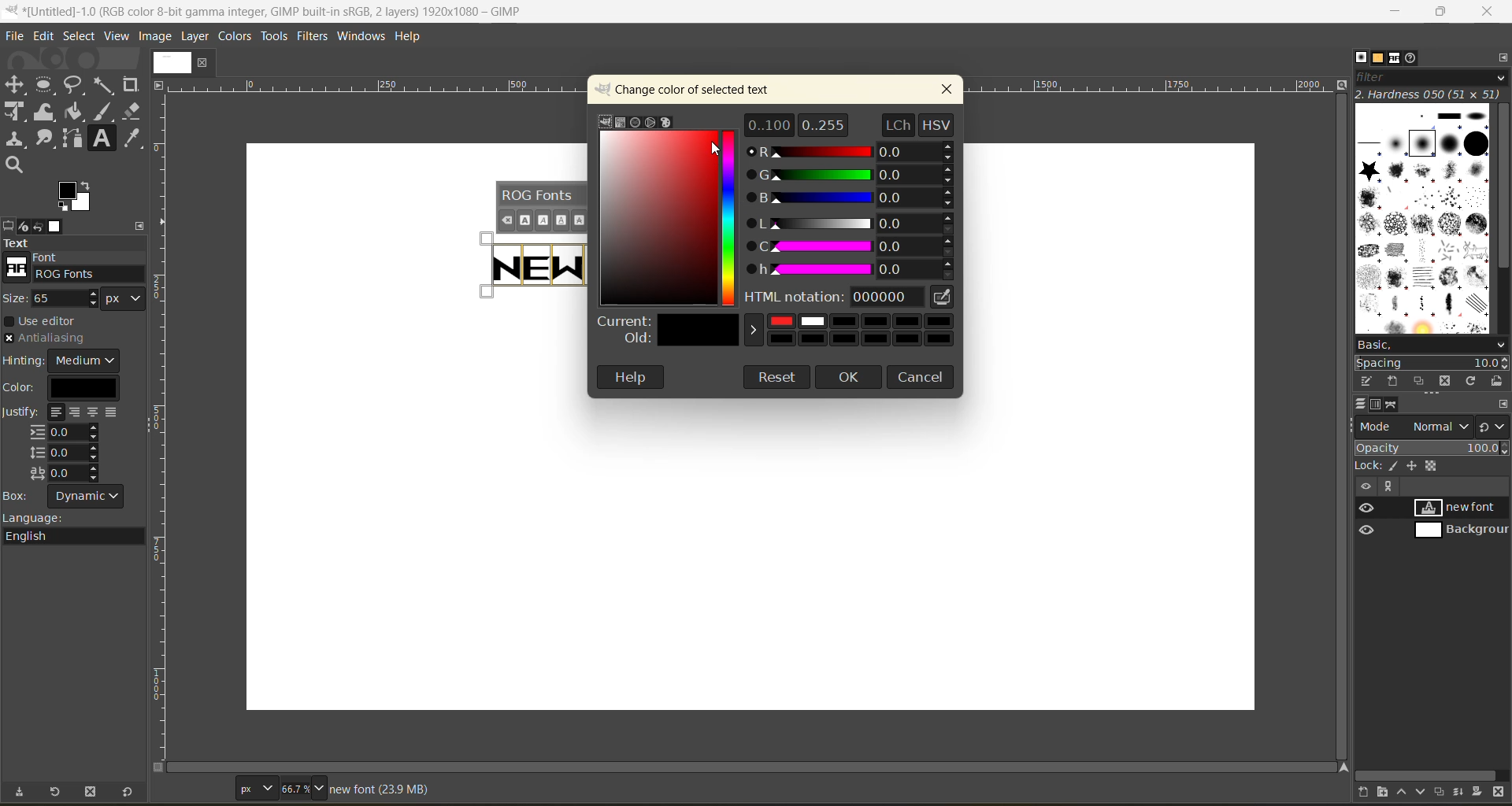  Describe the element at coordinates (9, 226) in the screenshot. I see `tool options` at that location.